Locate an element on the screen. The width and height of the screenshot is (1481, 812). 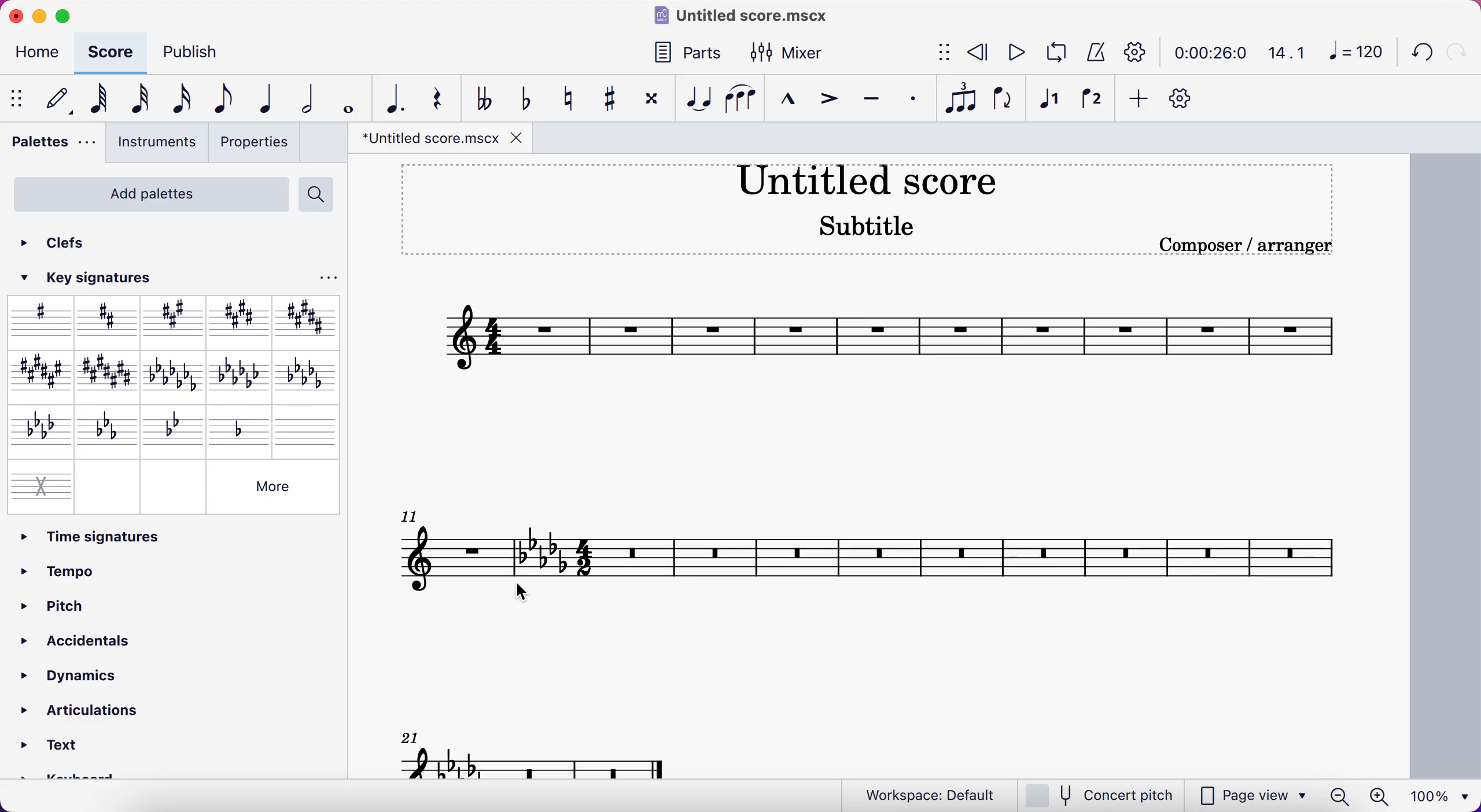
customize toolbar is located at coordinates (1189, 98).